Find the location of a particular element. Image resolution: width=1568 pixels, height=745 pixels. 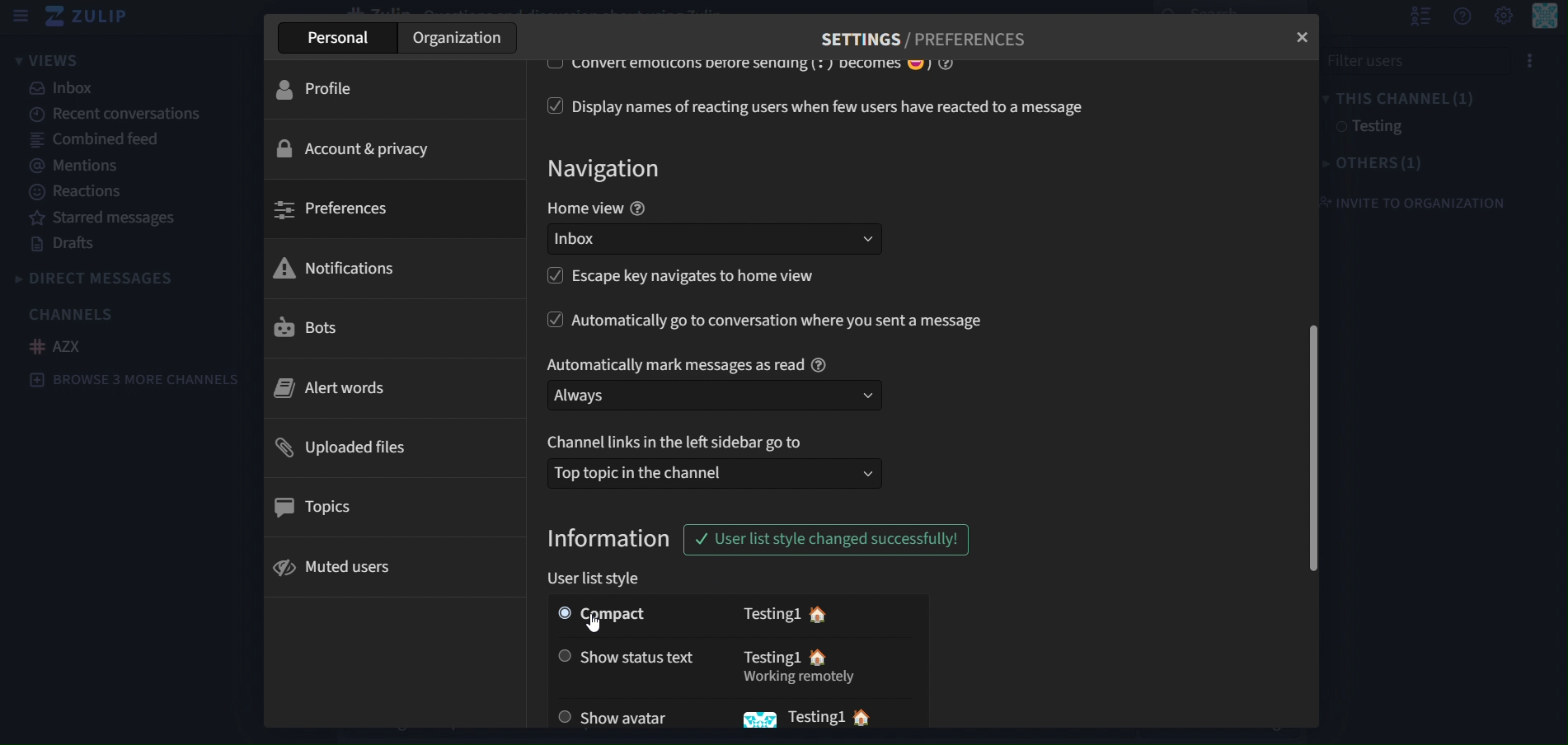

escape key navigates to home view is located at coordinates (702, 278).